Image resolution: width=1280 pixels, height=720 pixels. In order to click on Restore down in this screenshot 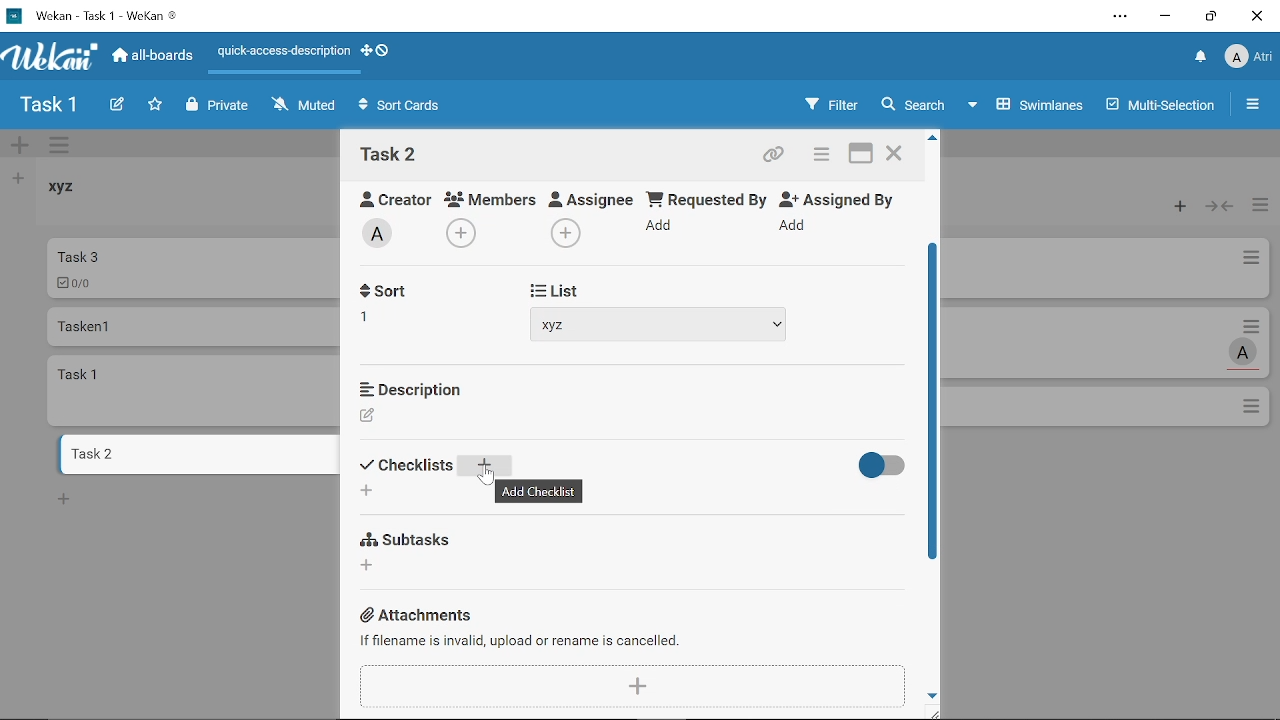, I will do `click(1211, 16)`.